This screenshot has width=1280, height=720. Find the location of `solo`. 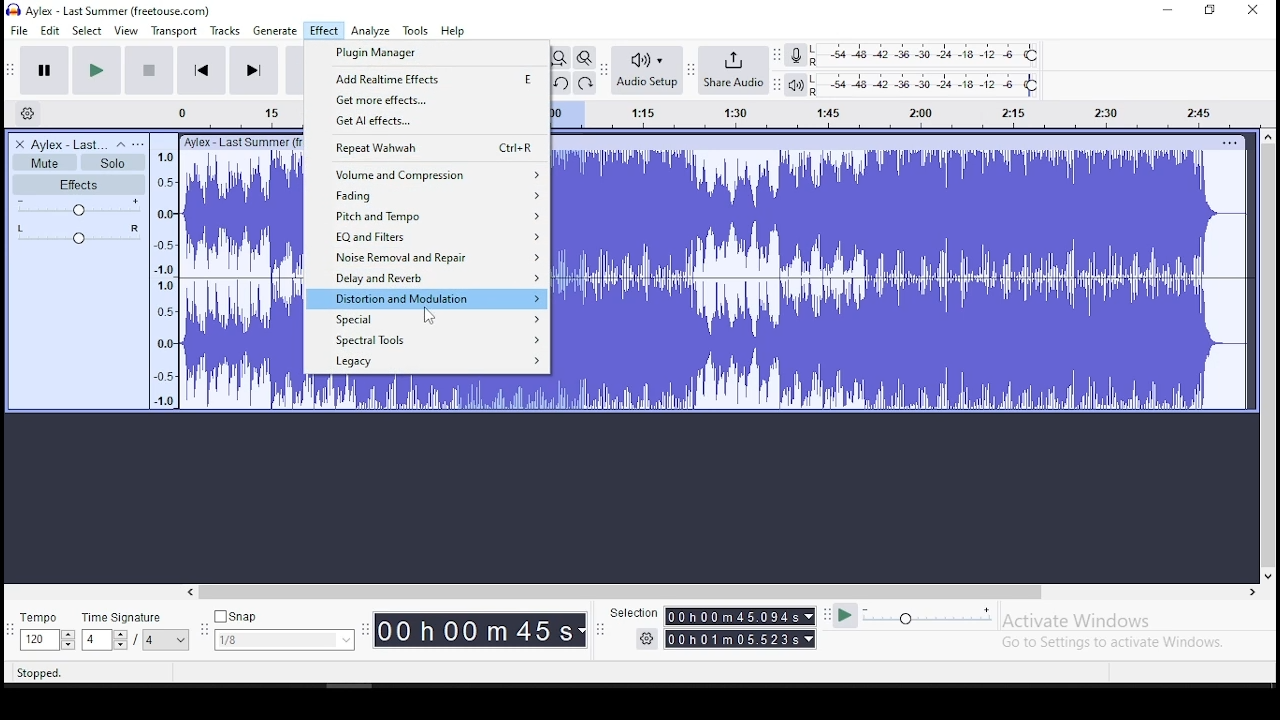

solo is located at coordinates (112, 163).